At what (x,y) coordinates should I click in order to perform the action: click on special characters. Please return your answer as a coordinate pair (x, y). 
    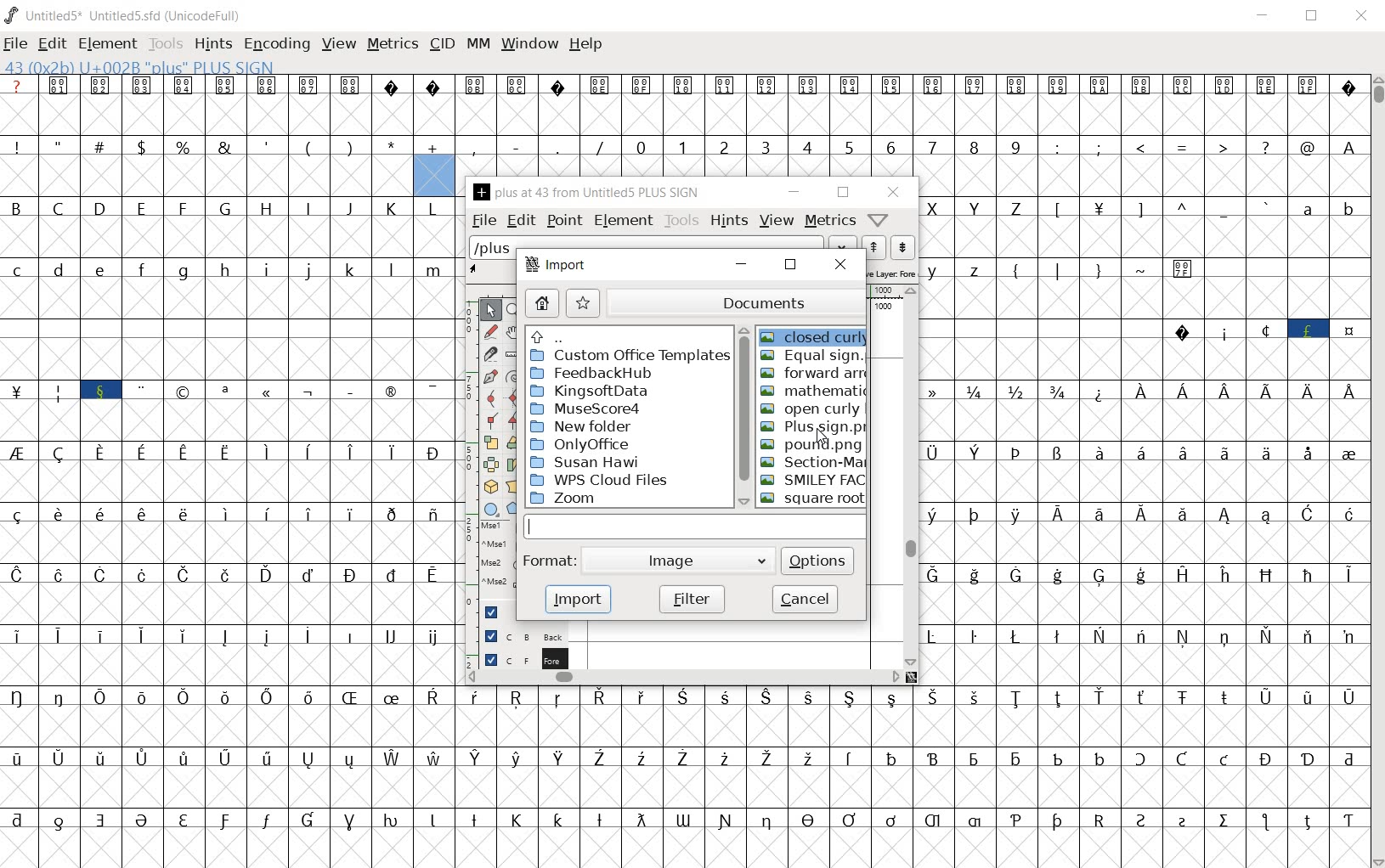
    Looking at the image, I should click on (1263, 350).